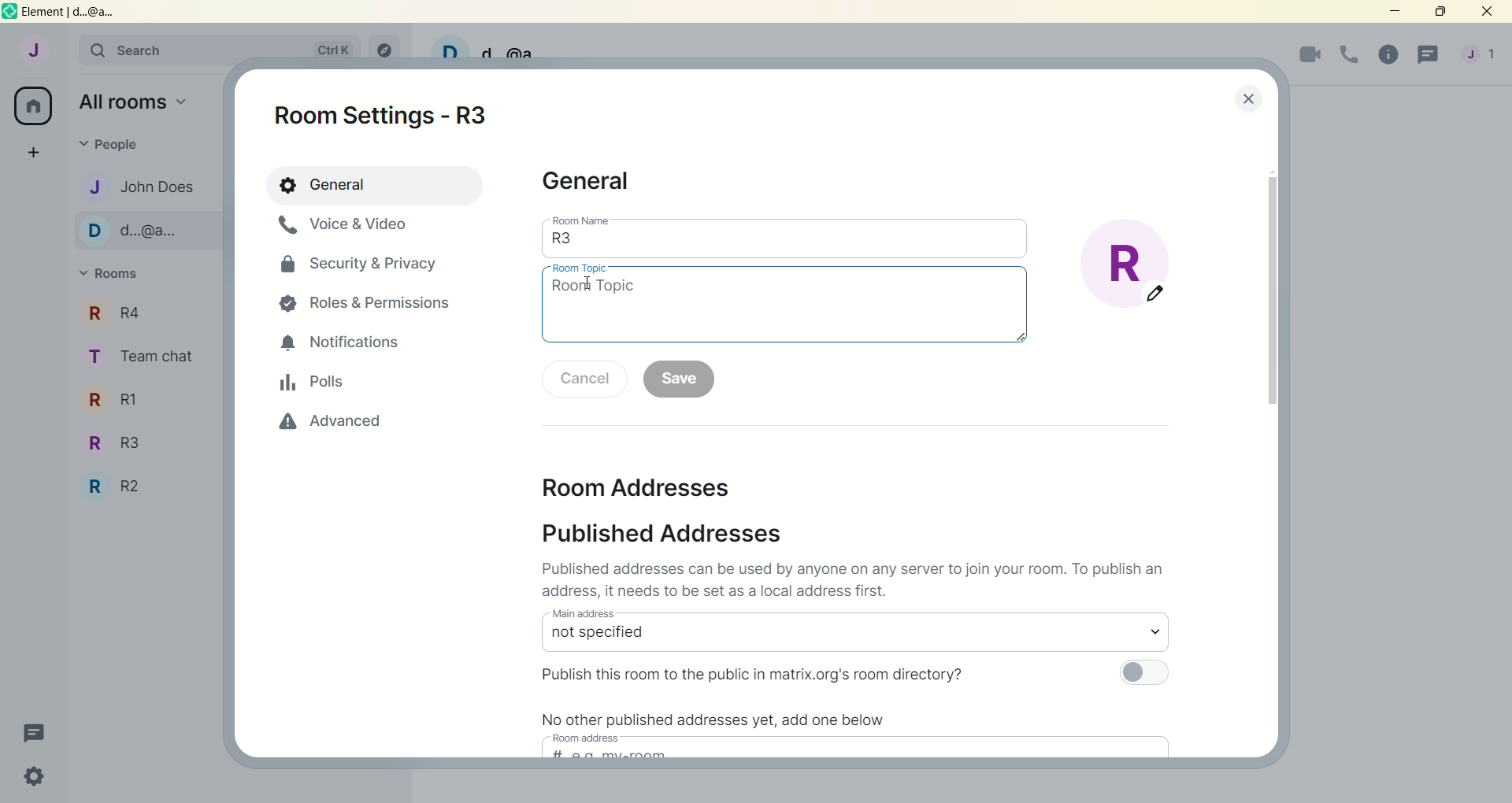  I want to click on element, so click(74, 13).